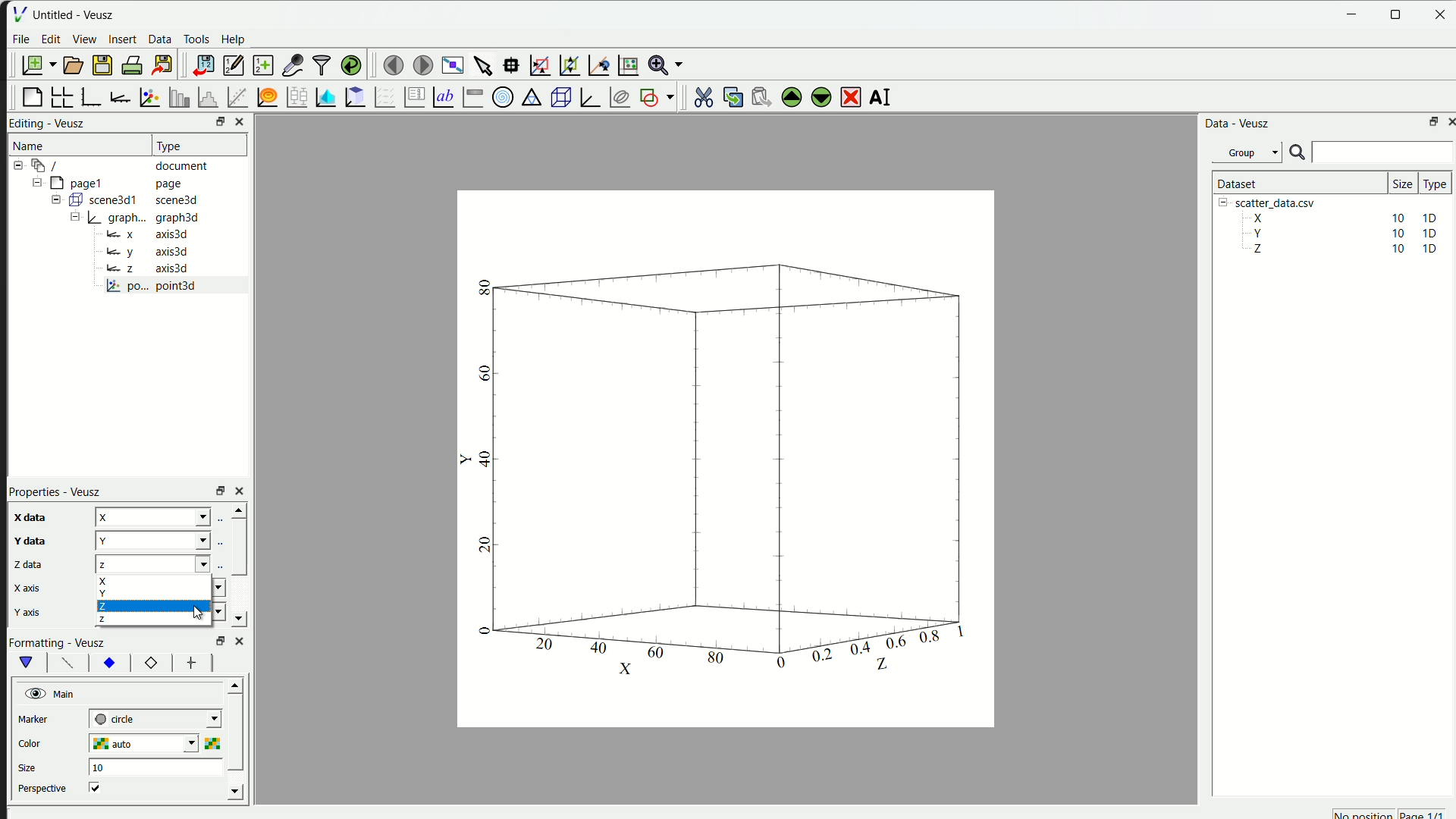 Image resolution: width=1456 pixels, height=819 pixels. I want to click on Editing, so click(27, 122).